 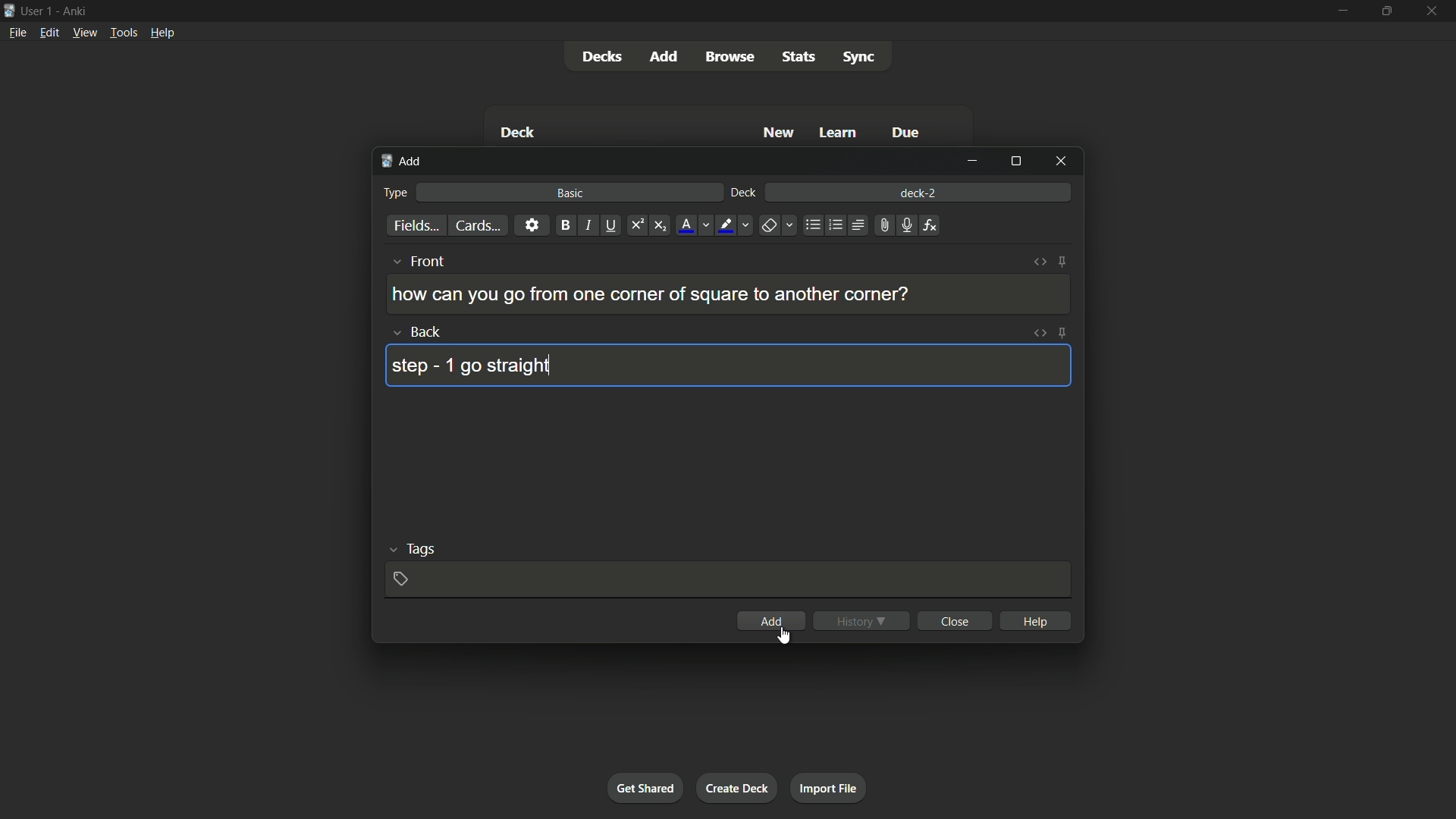 I want to click on italic, so click(x=587, y=226).